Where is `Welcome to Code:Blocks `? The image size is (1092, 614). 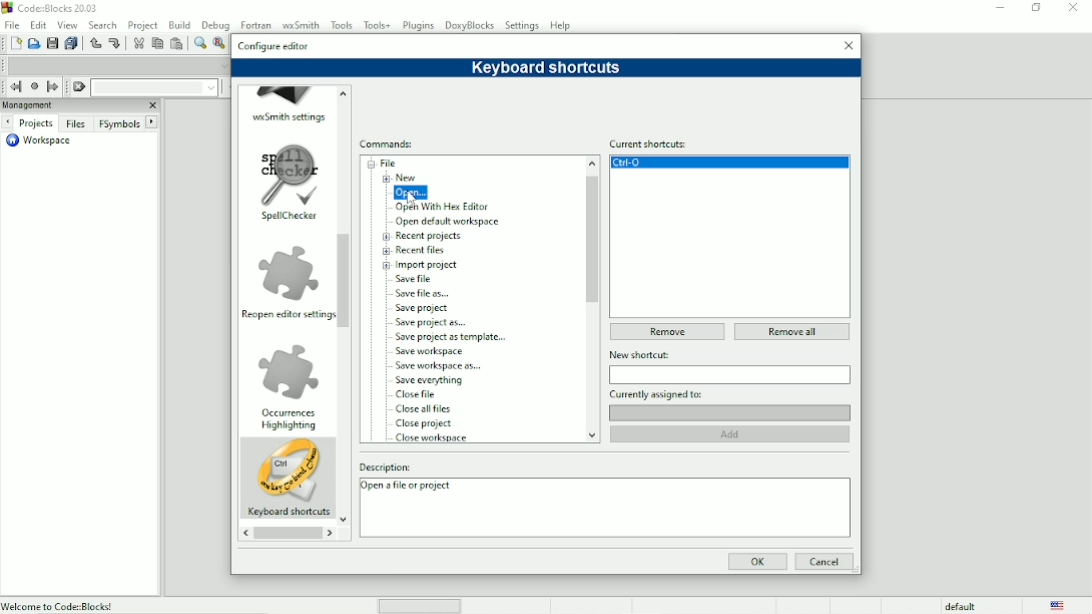
Welcome to Code:Blocks  is located at coordinates (59, 605).